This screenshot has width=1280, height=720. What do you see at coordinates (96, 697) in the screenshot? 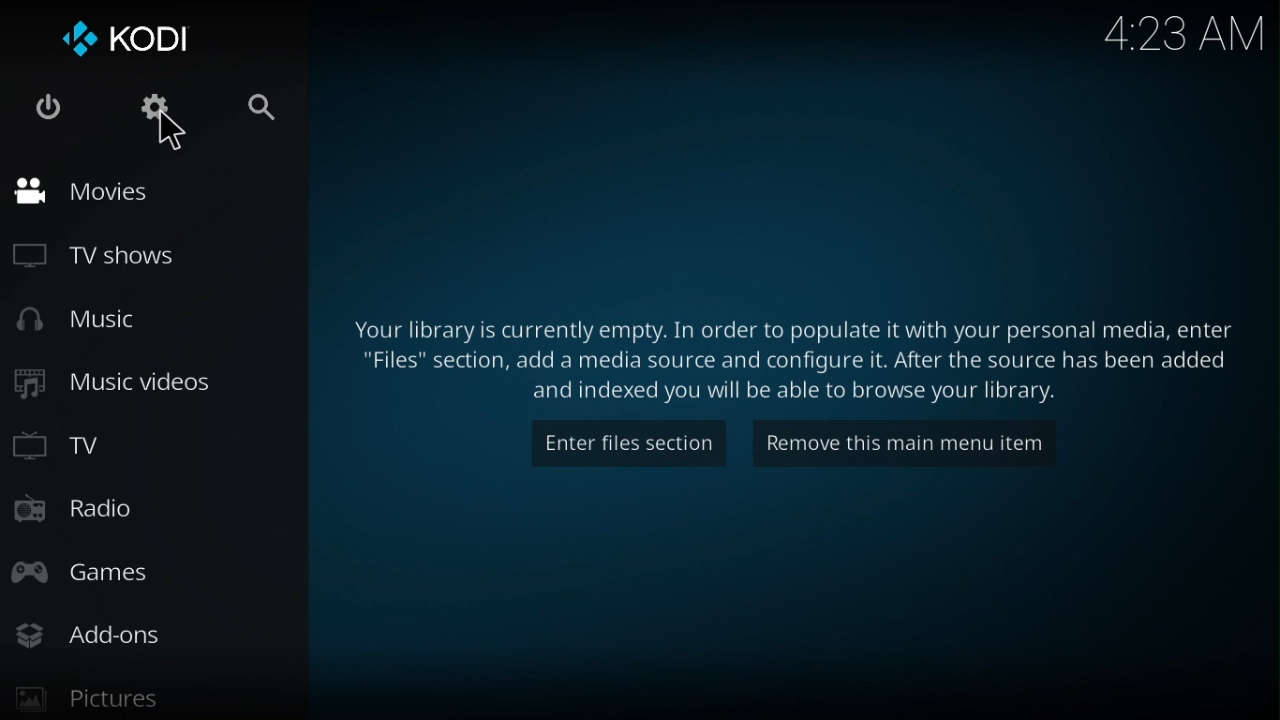
I see `pictures` at bounding box center [96, 697].